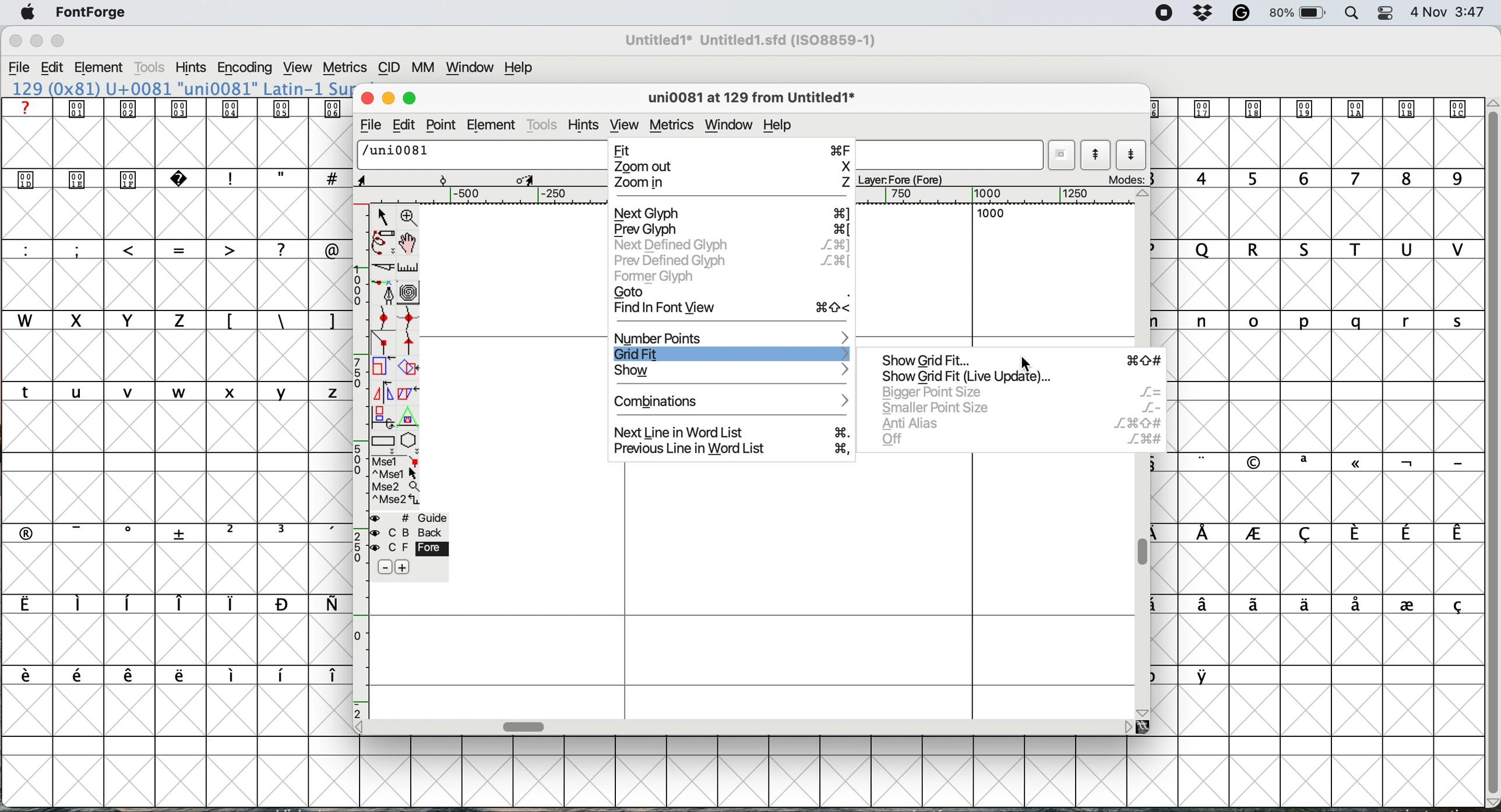 This screenshot has width=1501, height=812. What do you see at coordinates (1017, 440) in the screenshot?
I see `off` at bounding box center [1017, 440].